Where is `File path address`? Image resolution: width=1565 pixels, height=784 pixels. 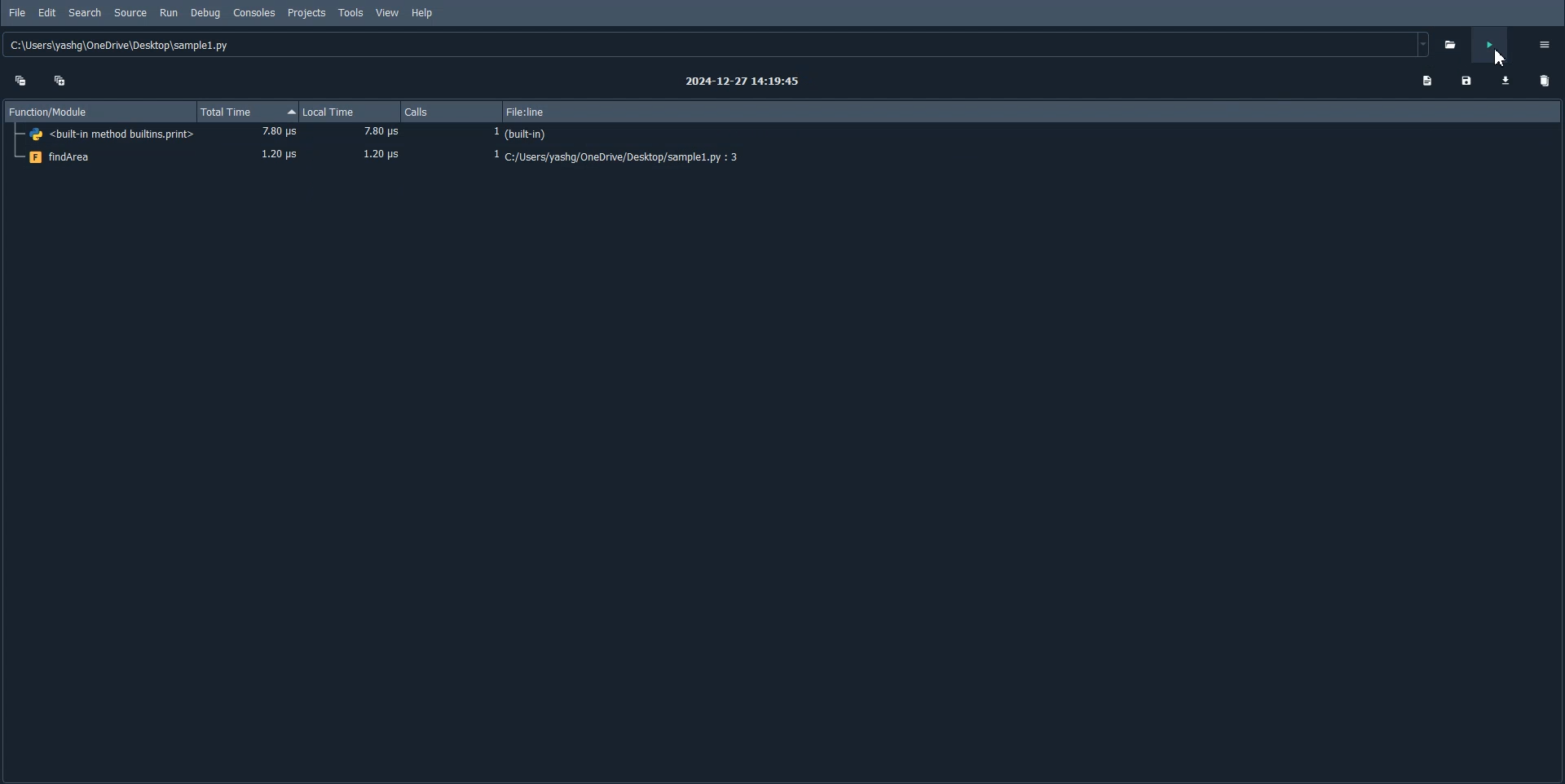
File path address is located at coordinates (719, 45).